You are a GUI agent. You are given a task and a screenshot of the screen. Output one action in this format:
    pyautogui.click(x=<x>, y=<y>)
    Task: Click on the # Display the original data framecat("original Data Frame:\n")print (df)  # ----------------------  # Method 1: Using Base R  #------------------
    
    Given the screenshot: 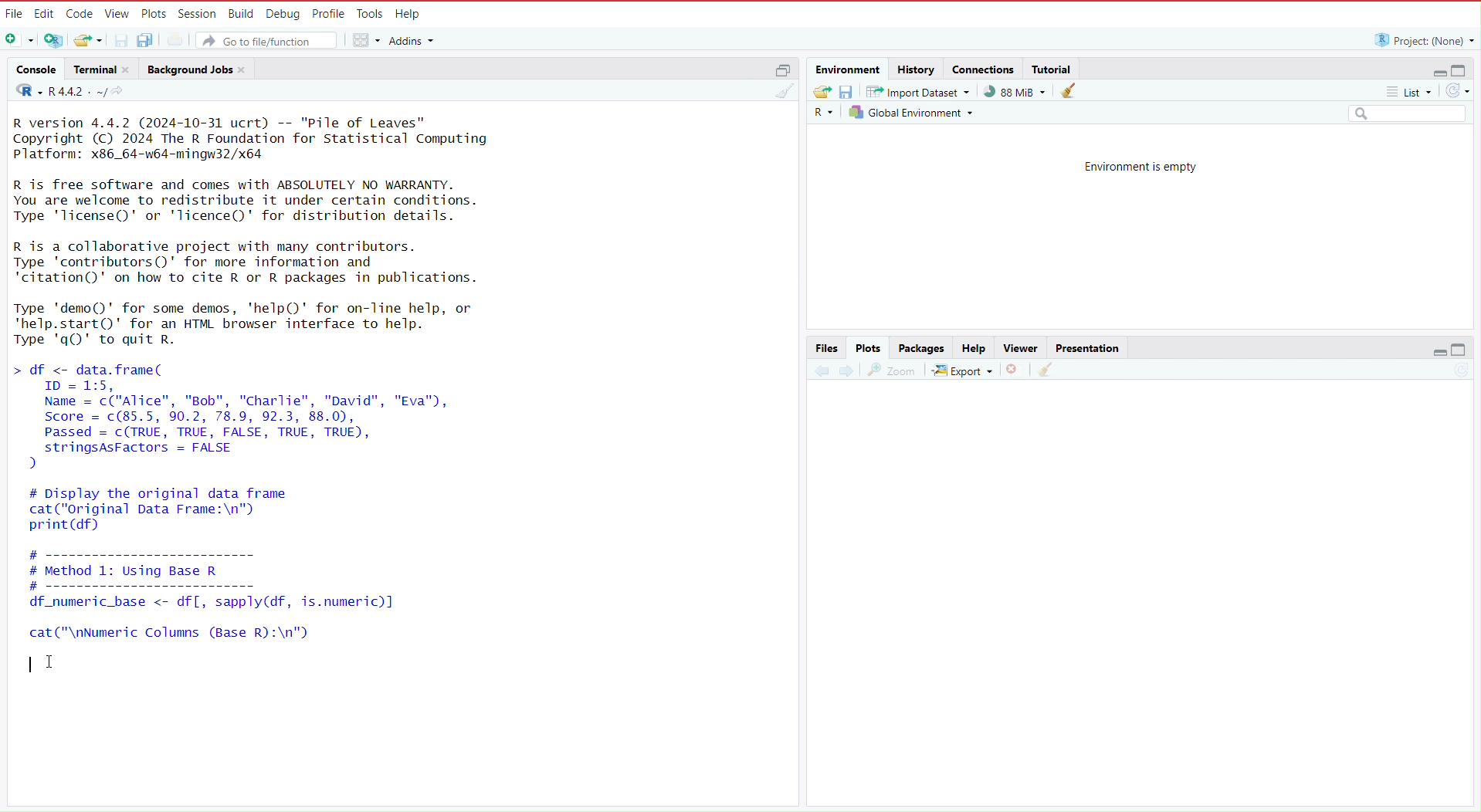 What is the action you would take?
    pyautogui.click(x=252, y=538)
    